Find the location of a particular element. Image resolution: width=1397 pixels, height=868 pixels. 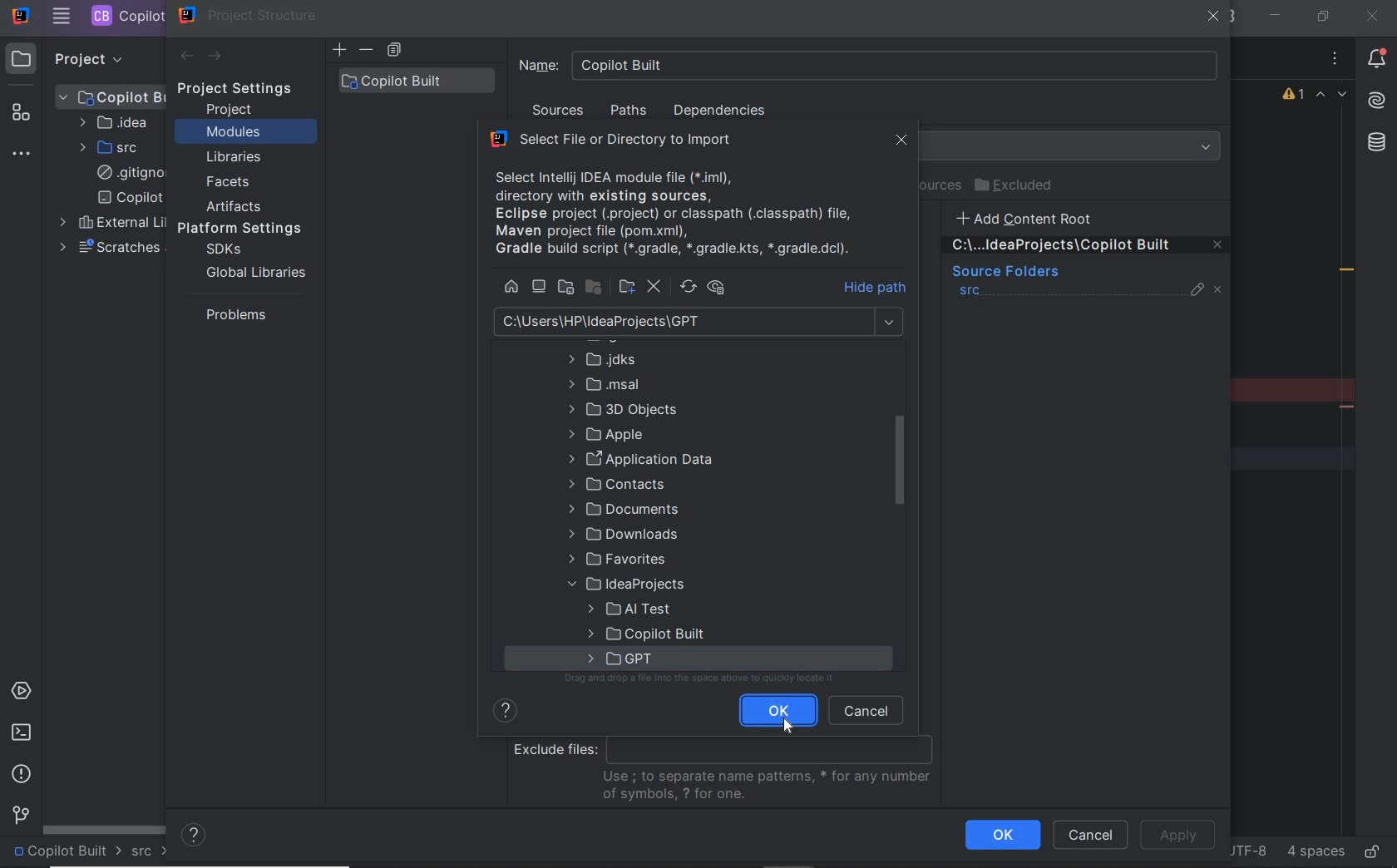

facets is located at coordinates (229, 183).